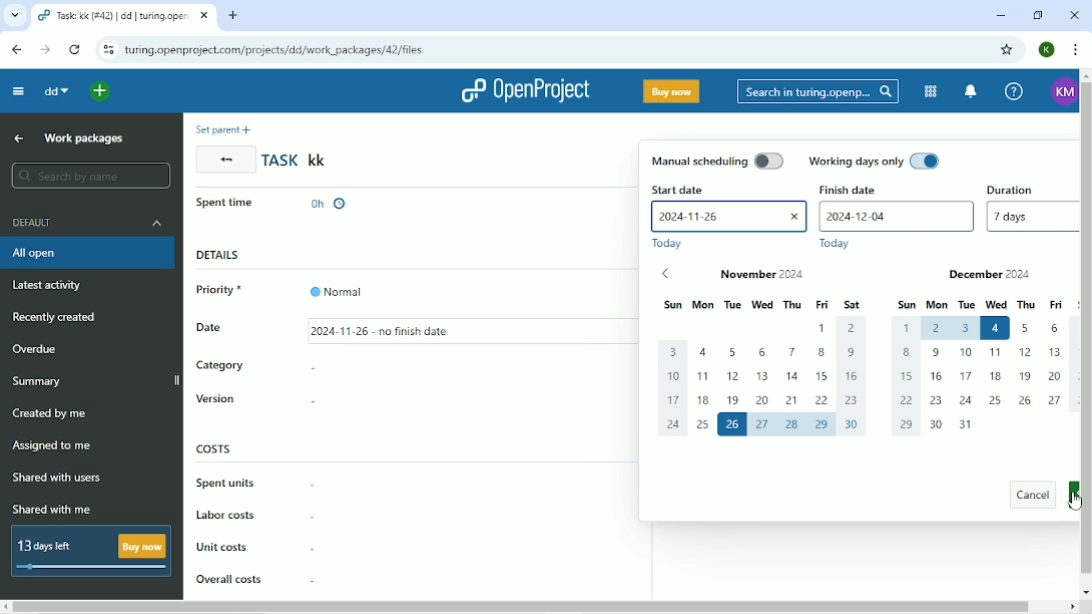  I want to click on dd, so click(59, 92).